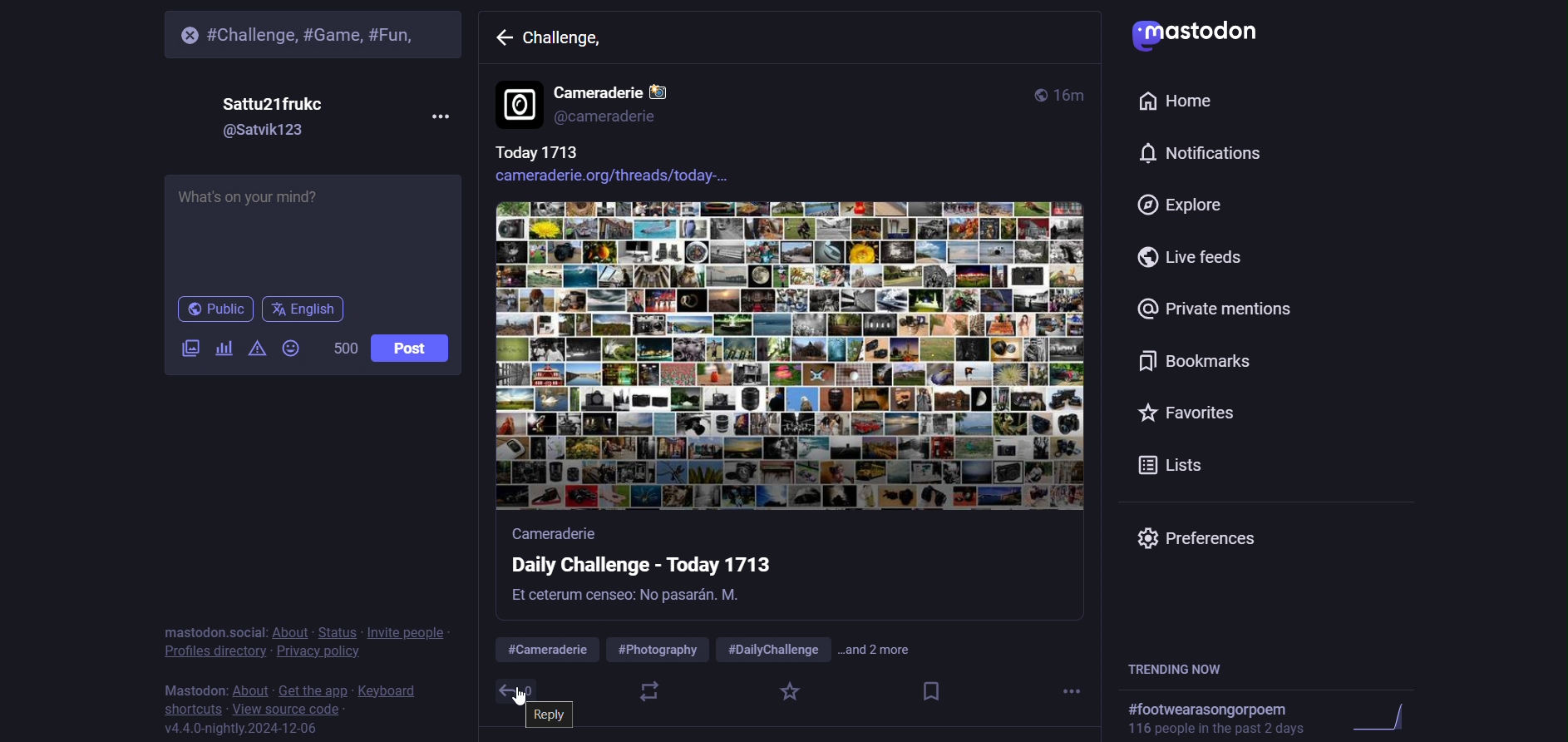  Describe the element at coordinates (317, 652) in the screenshot. I see `privacy policy` at that location.